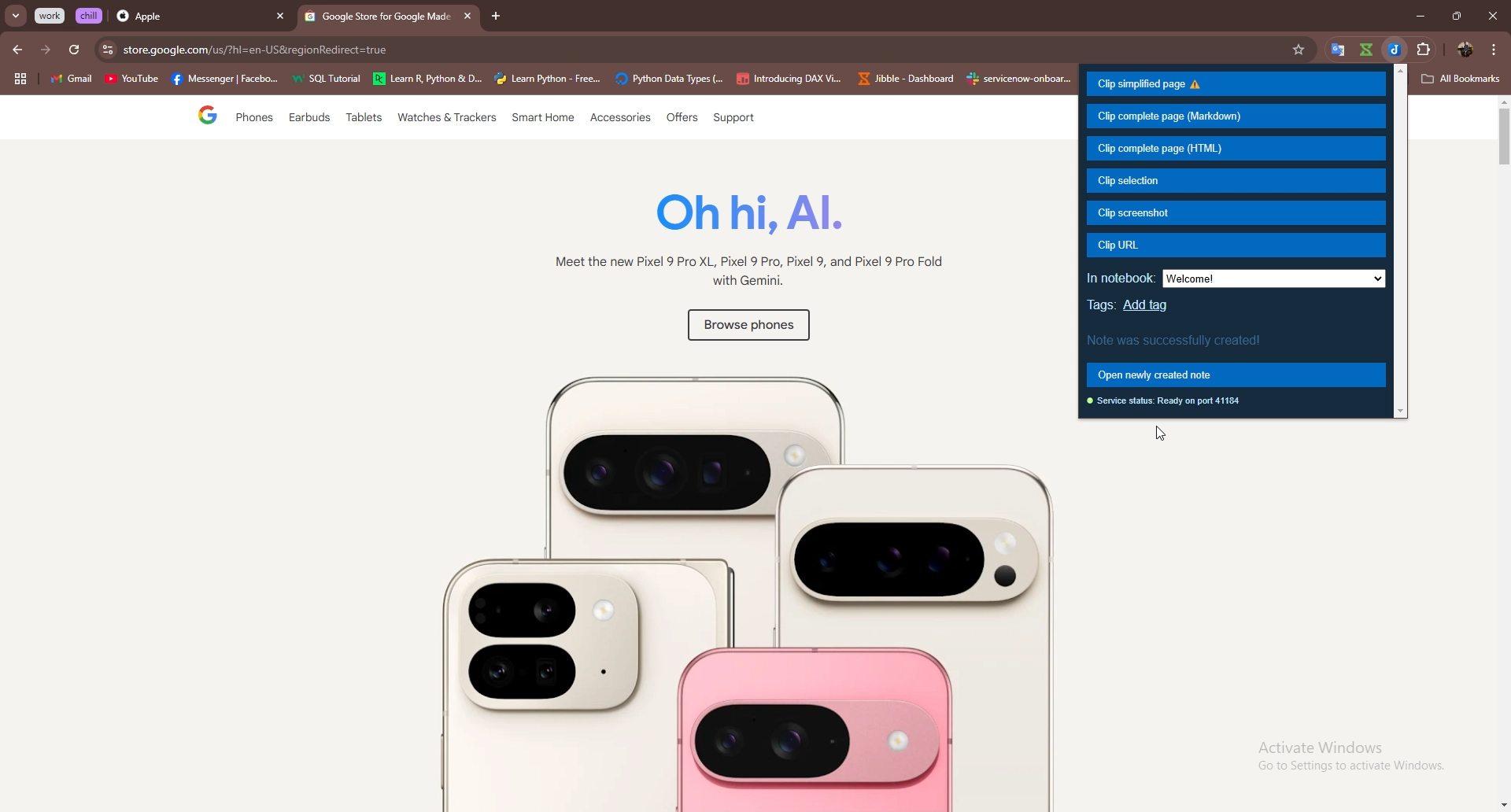 The image size is (1511, 812). Describe the element at coordinates (1020, 79) in the screenshot. I see `he
<£ senvicenow-onboar...` at that location.